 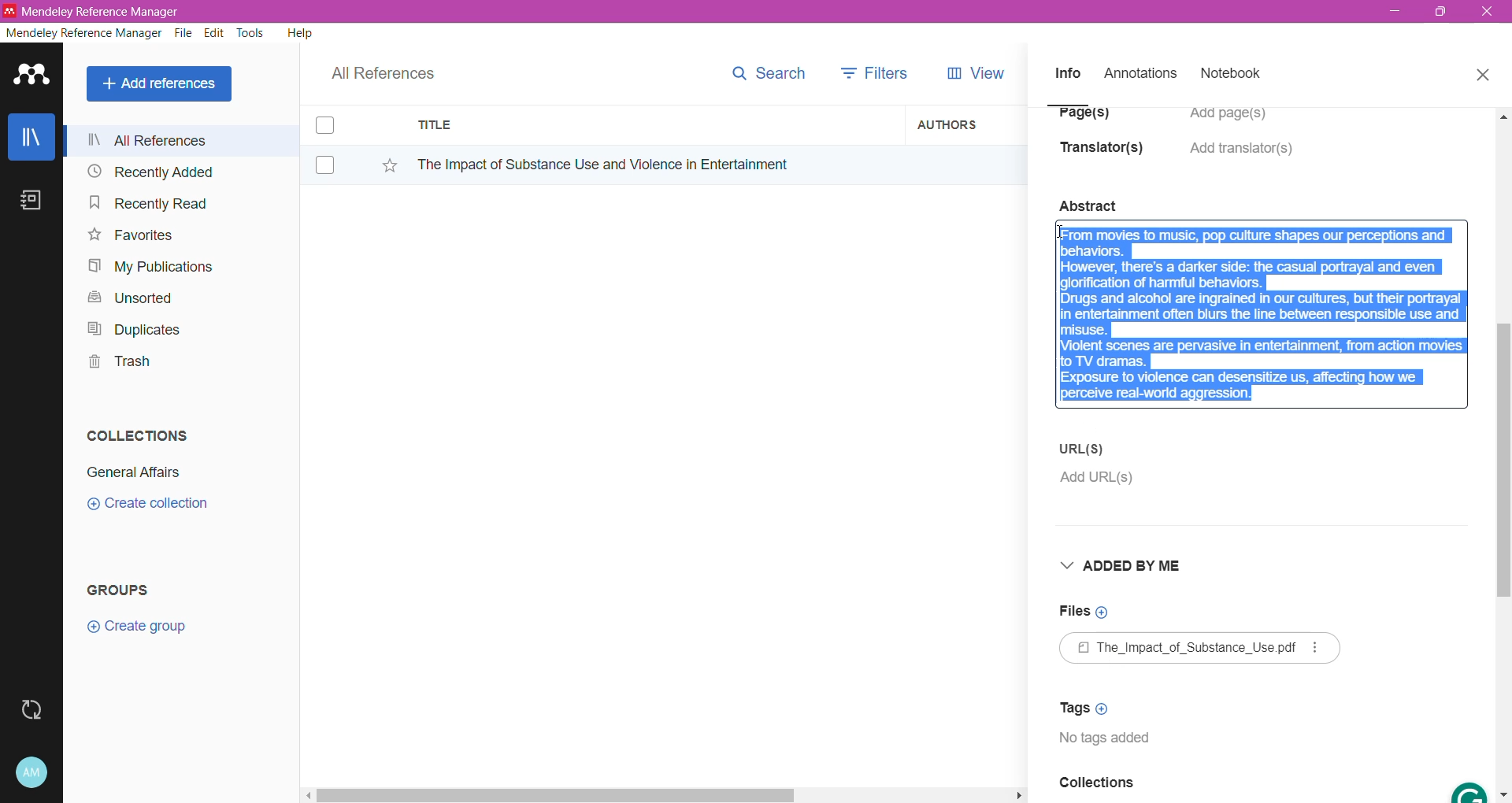 I want to click on Click to Create Group, so click(x=140, y=632).